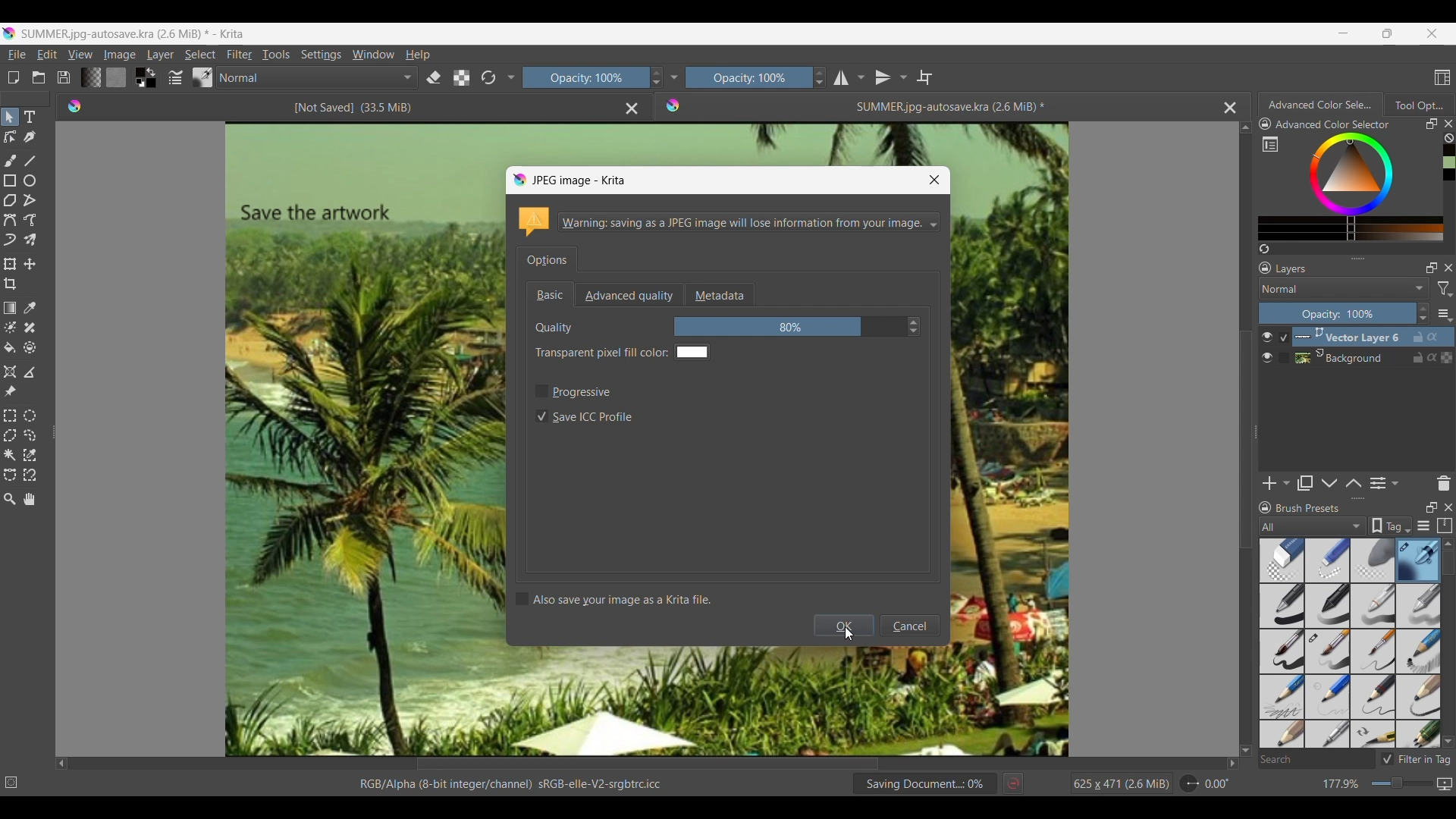 Image resolution: width=1456 pixels, height=819 pixels. What do you see at coordinates (629, 295) in the screenshot?
I see `Advanced quality subtab` at bounding box center [629, 295].